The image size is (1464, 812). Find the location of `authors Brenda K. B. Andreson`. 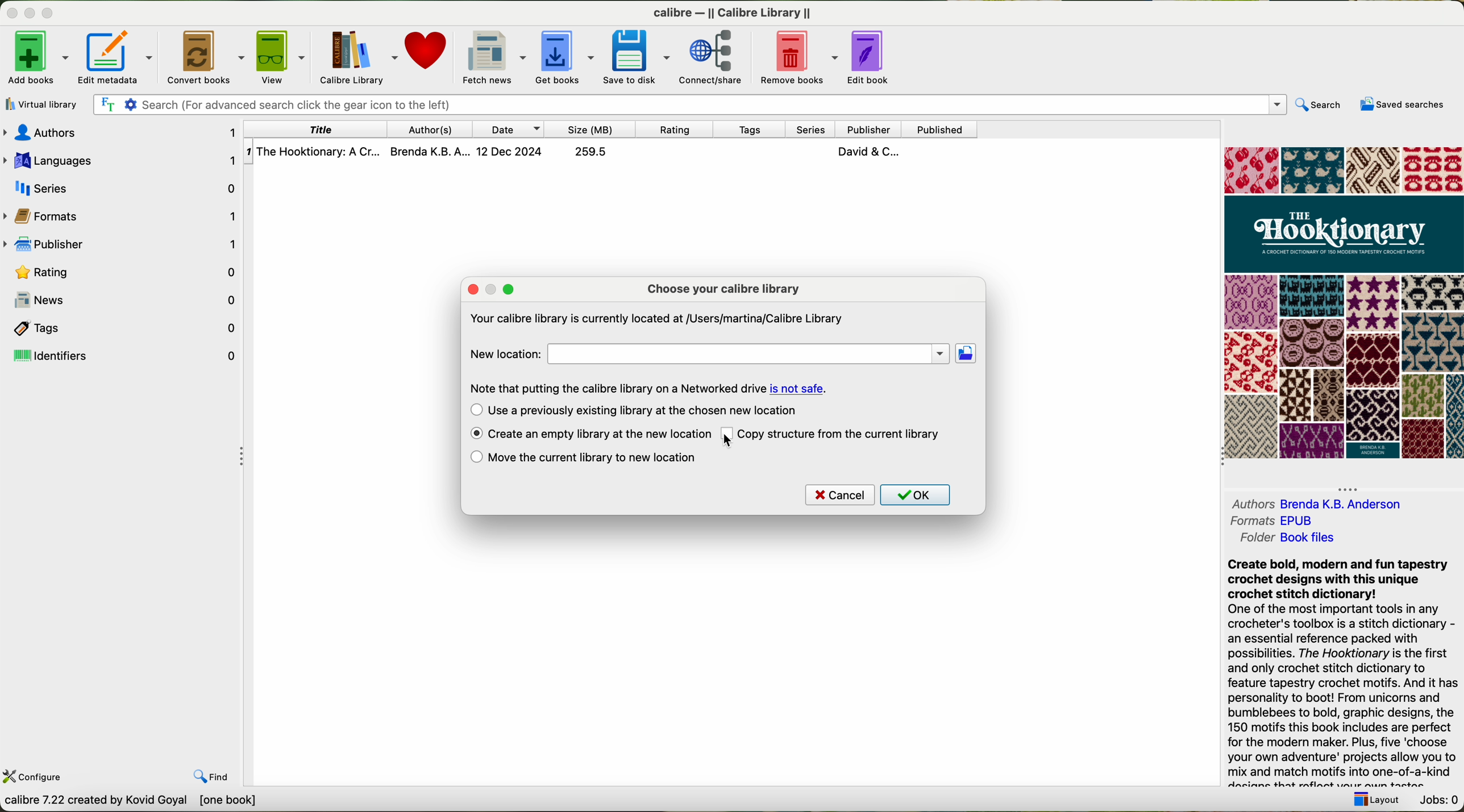

authors Brenda K. B. Andreson is located at coordinates (1316, 504).